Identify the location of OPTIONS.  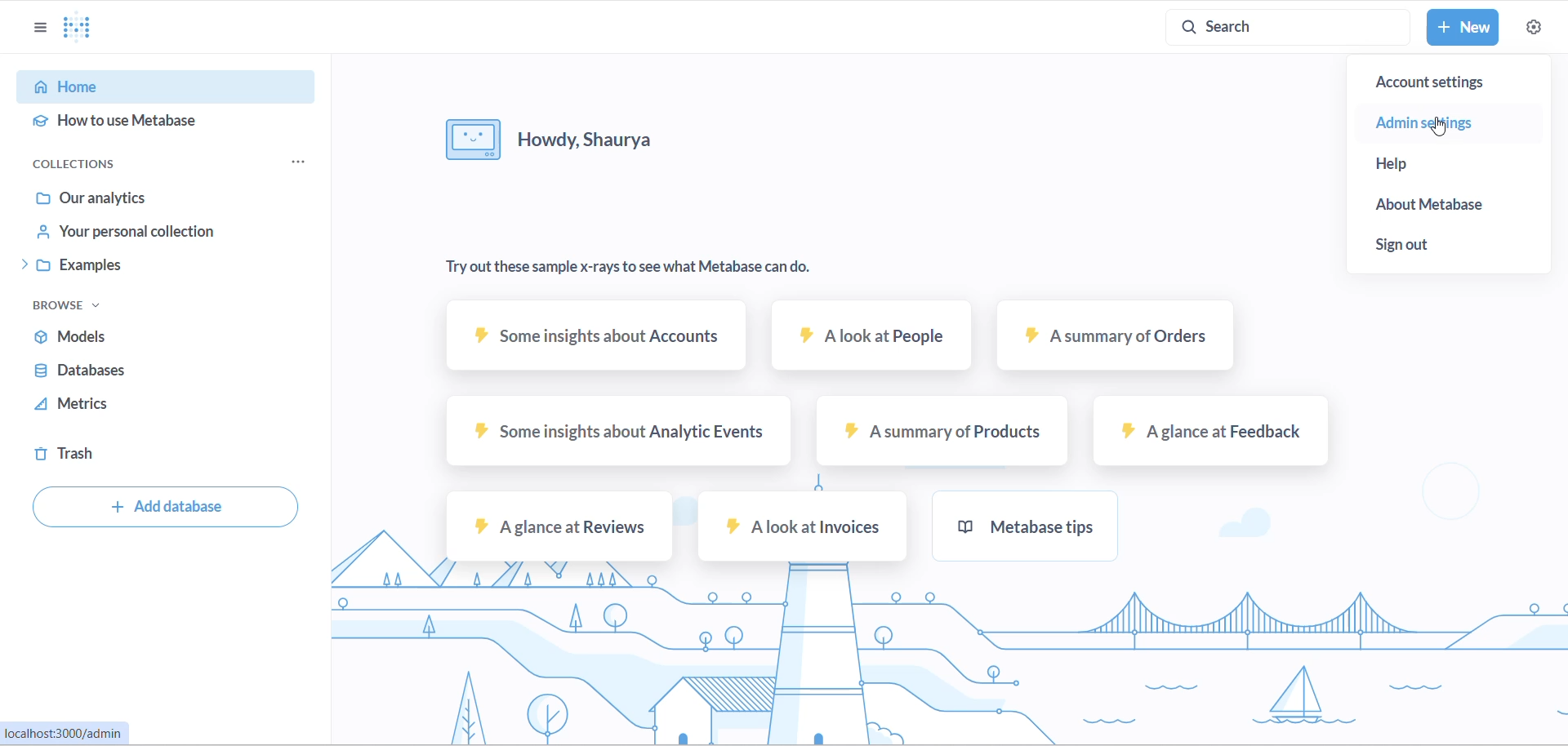
(38, 25).